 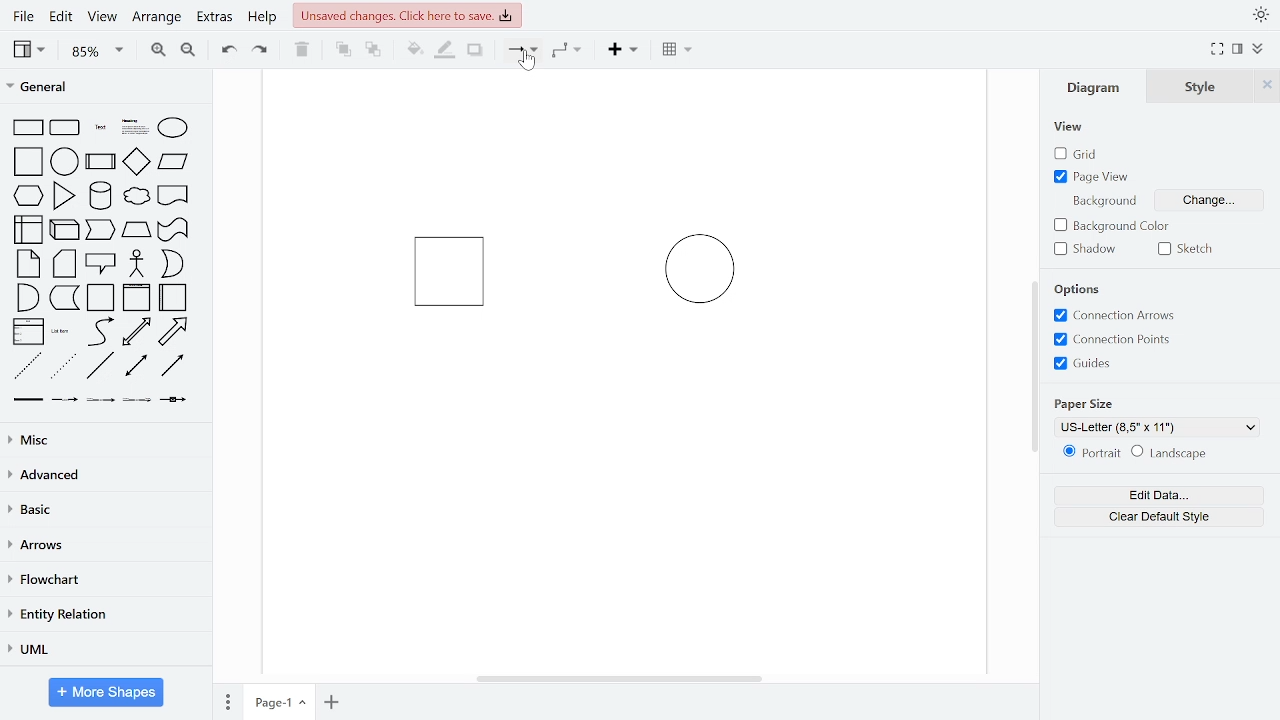 I want to click on curve, so click(x=101, y=331).